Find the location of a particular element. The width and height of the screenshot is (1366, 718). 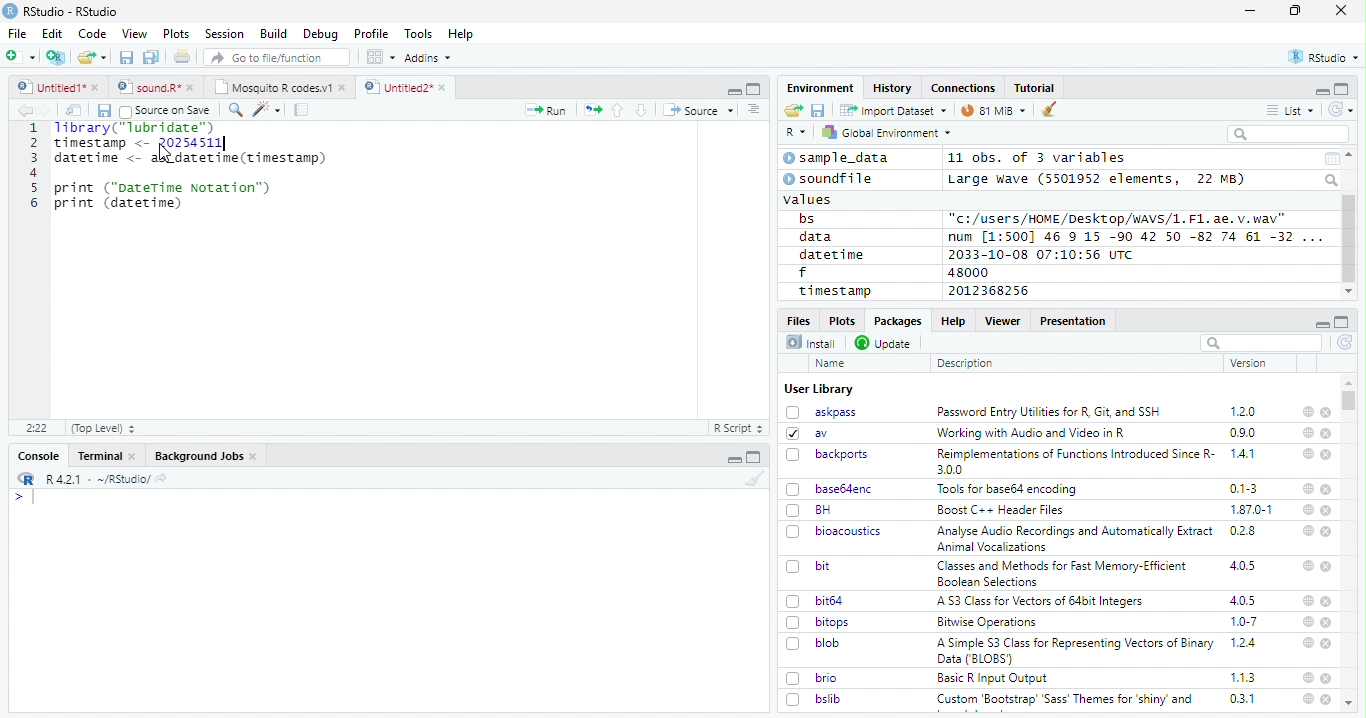

User Library is located at coordinates (819, 389).